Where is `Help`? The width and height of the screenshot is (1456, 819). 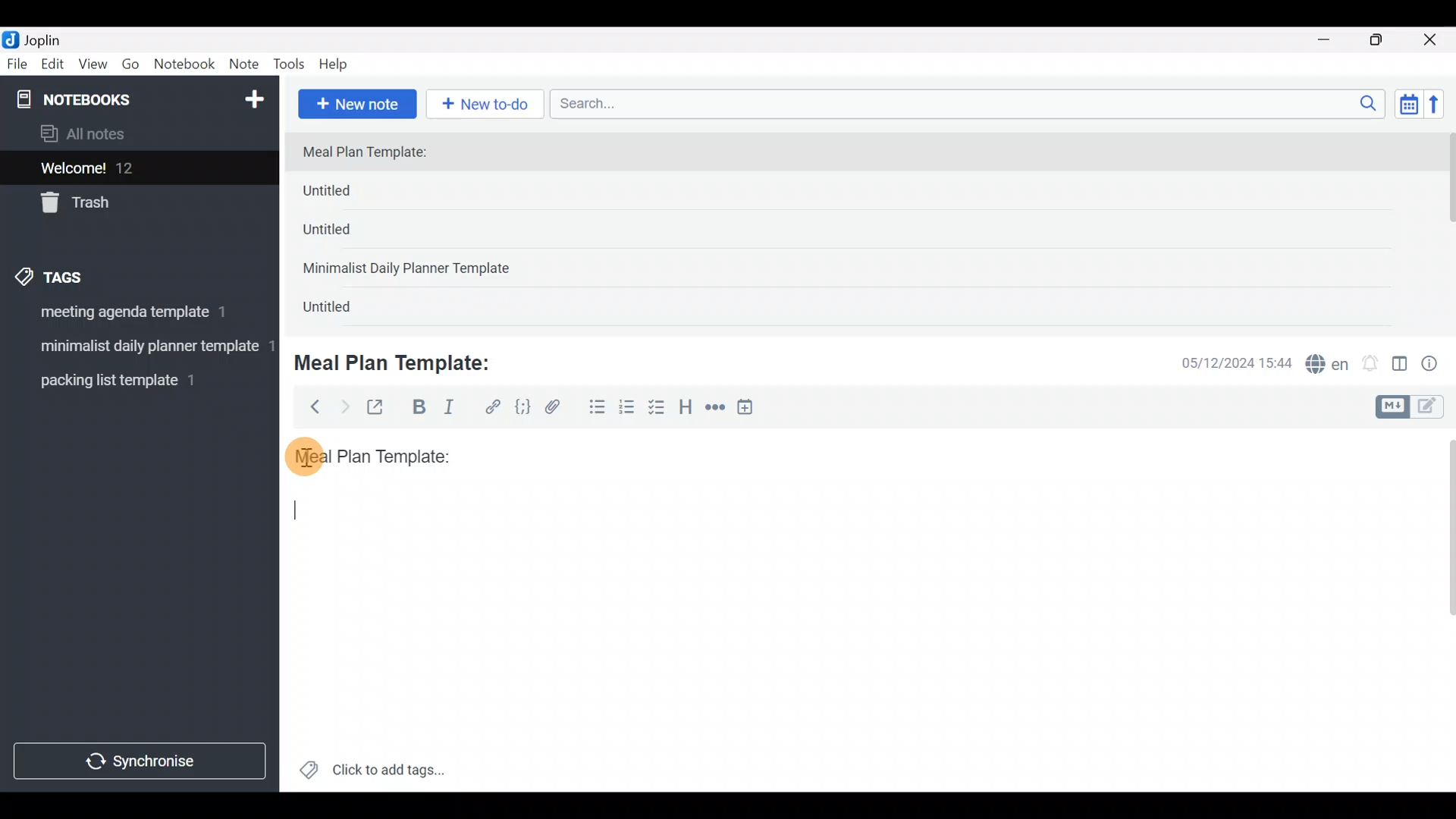 Help is located at coordinates (339, 61).